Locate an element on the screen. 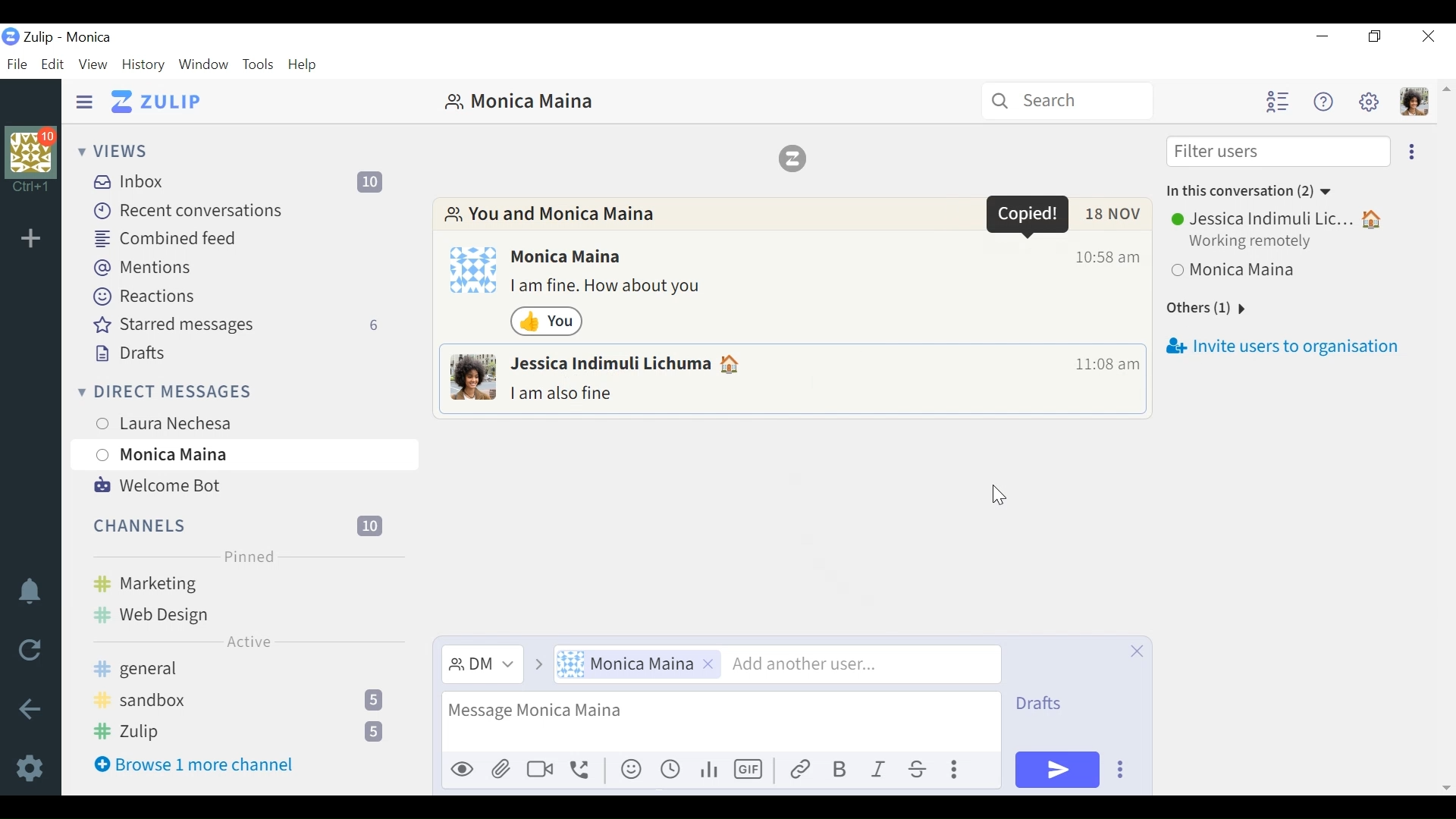 This screenshot has width=1456, height=819. Profile photo is located at coordinates (474, 269).